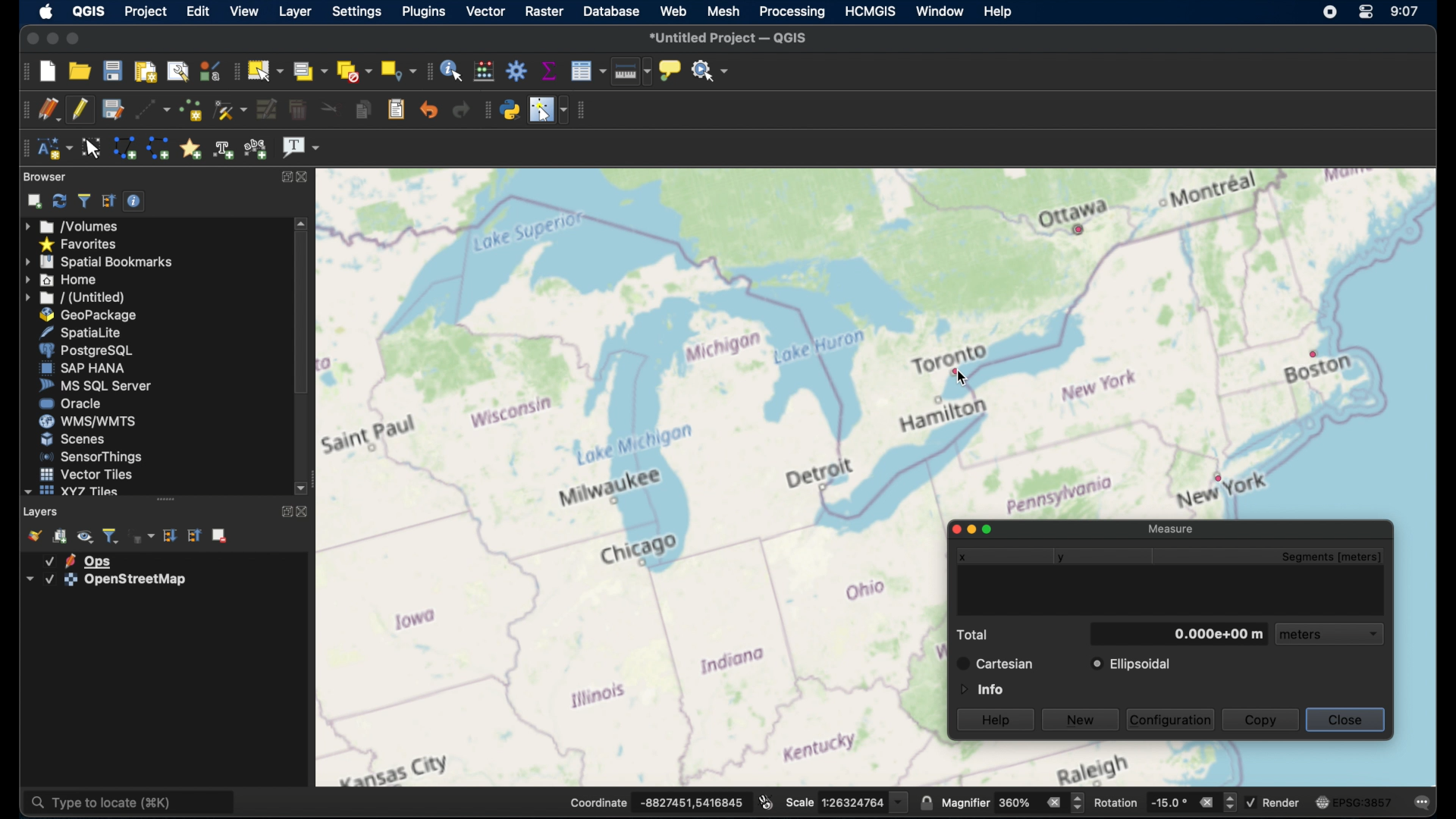  What do you see at coordinates (723, 11) in the screenshot?
I see `mesh` at bounding box center [723, 11].